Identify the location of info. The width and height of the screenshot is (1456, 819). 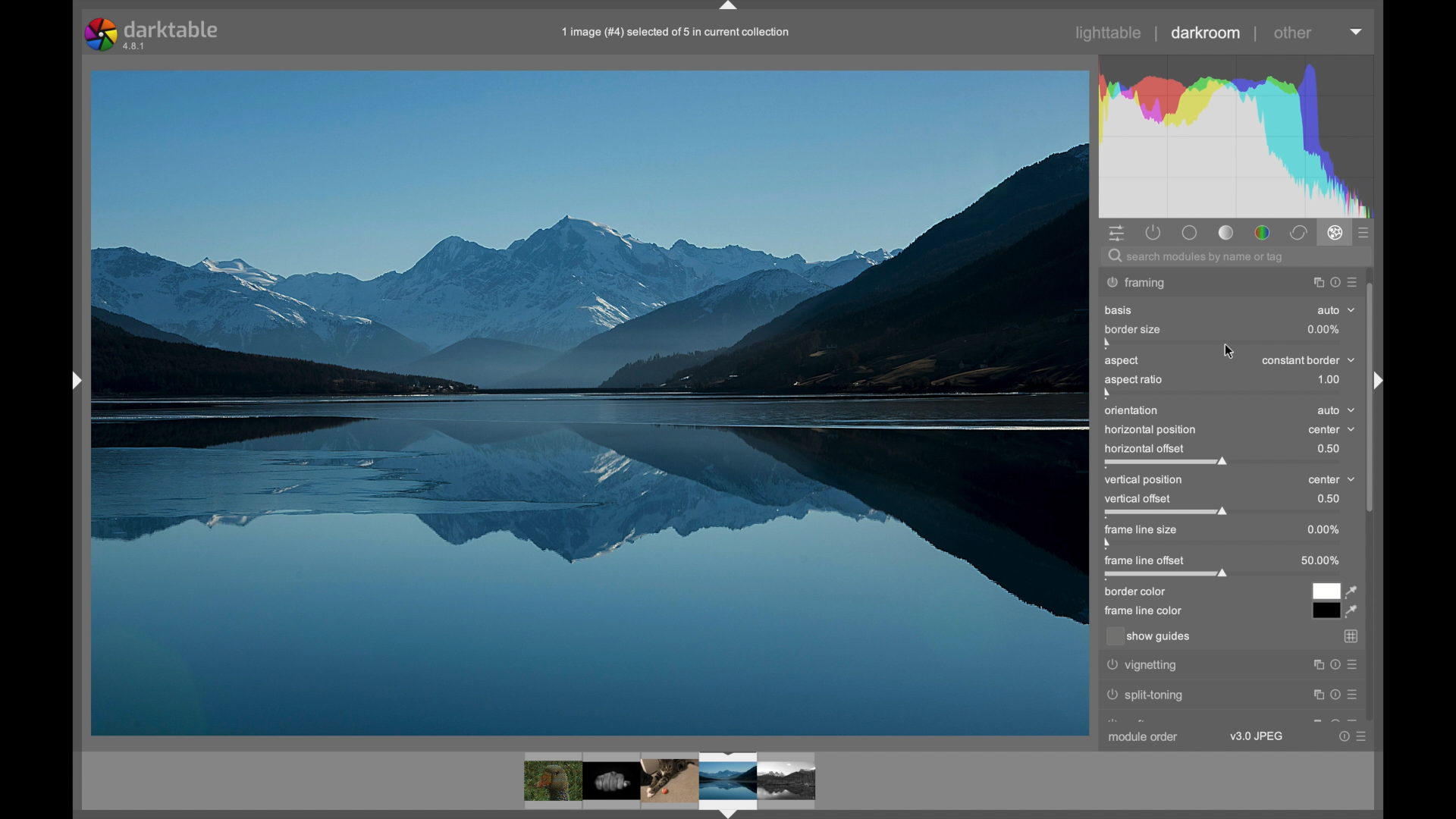
(678, 33).